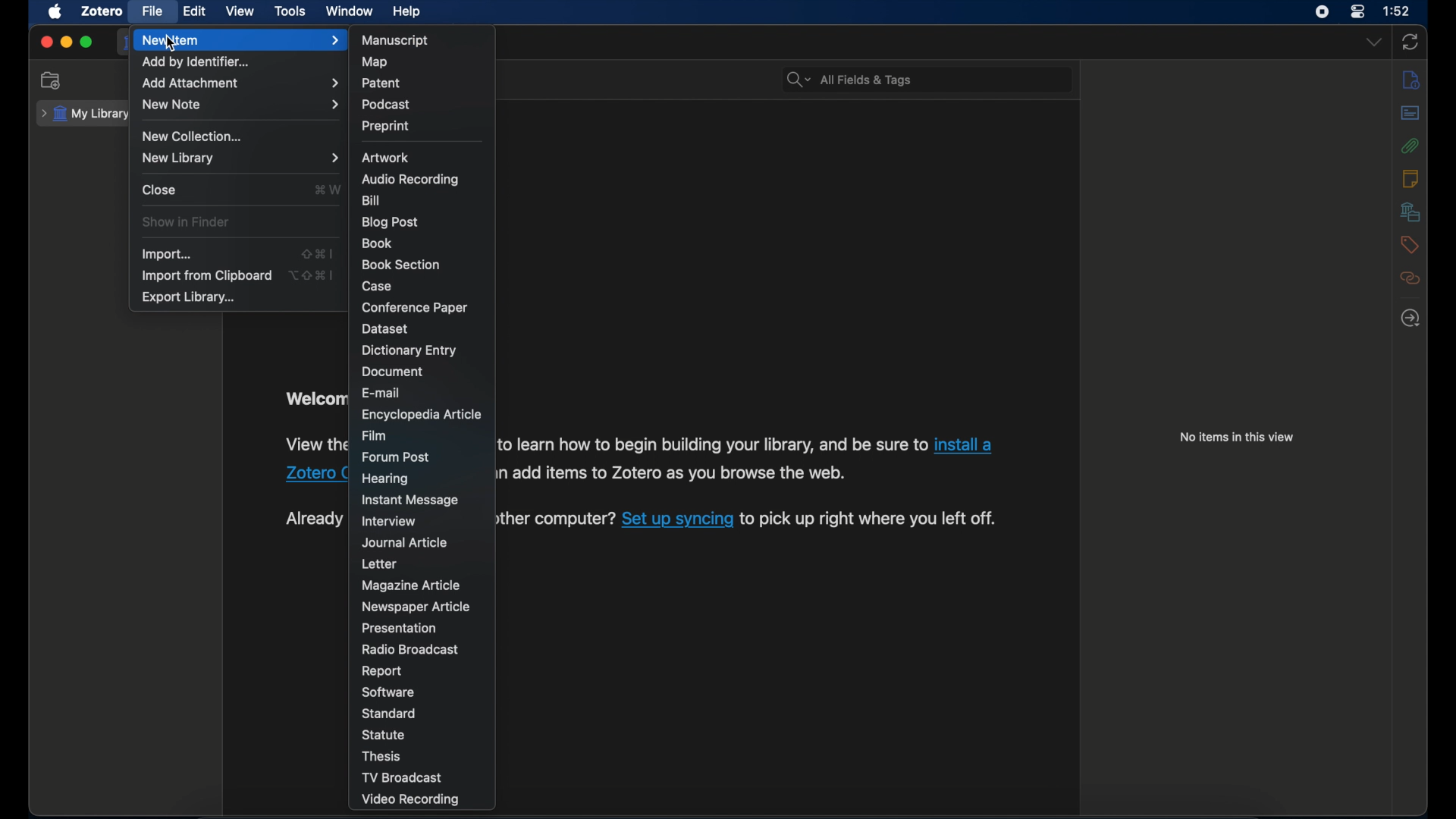  I want to click on bill, so click(370, 200).